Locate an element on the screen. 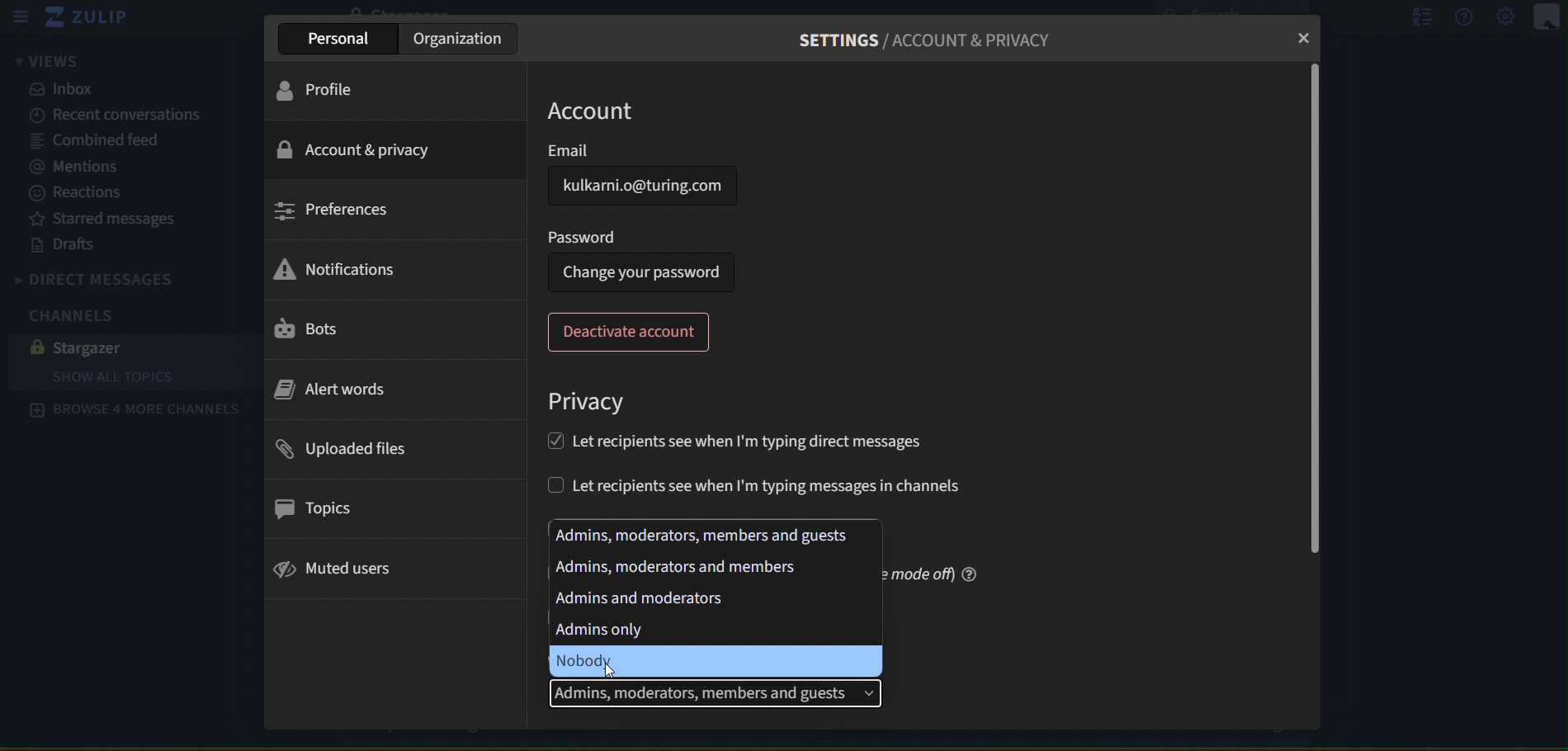  uploaded files is located at coordinates (342, 450).